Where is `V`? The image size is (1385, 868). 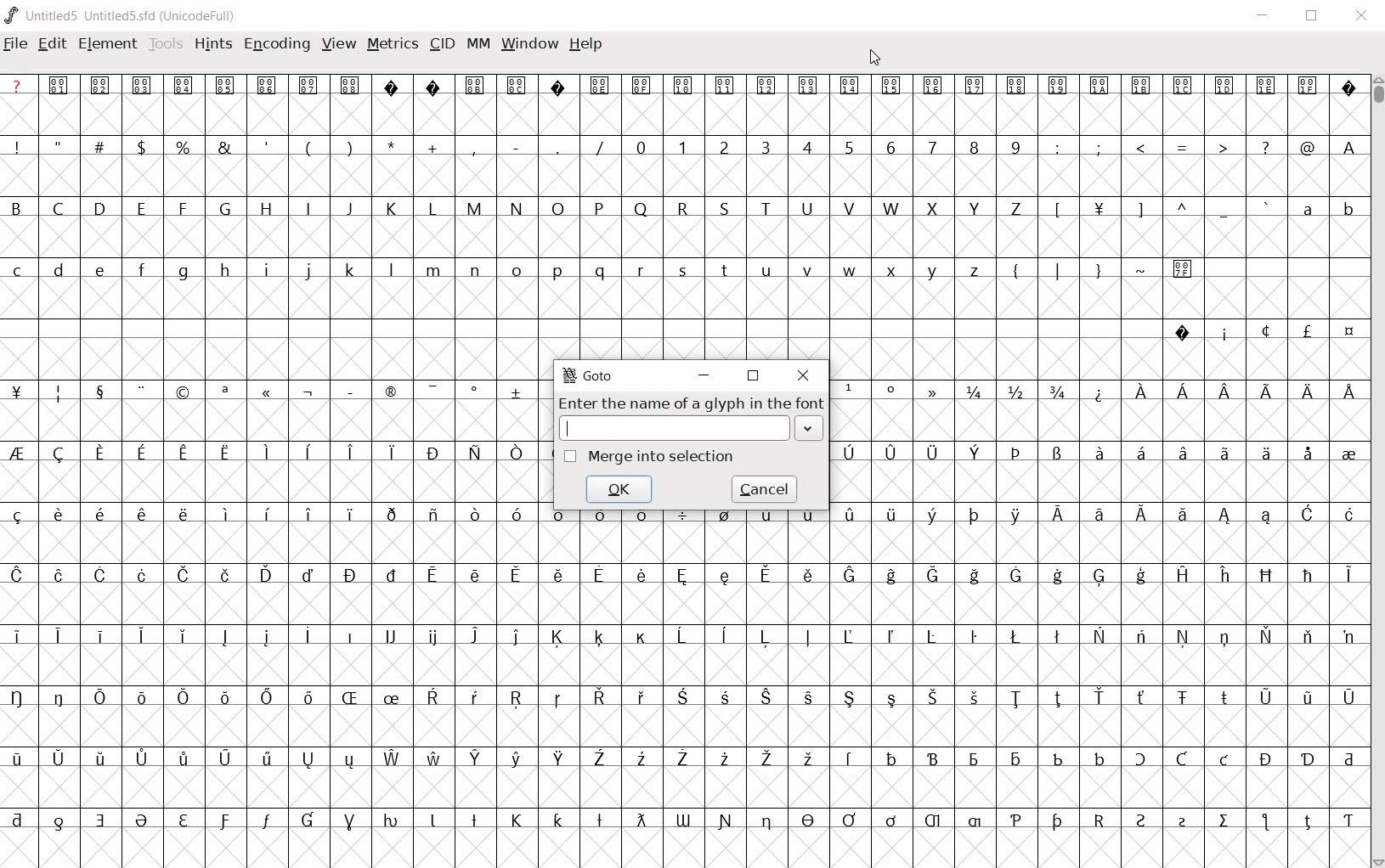 V is located at coordinates (849, 208).